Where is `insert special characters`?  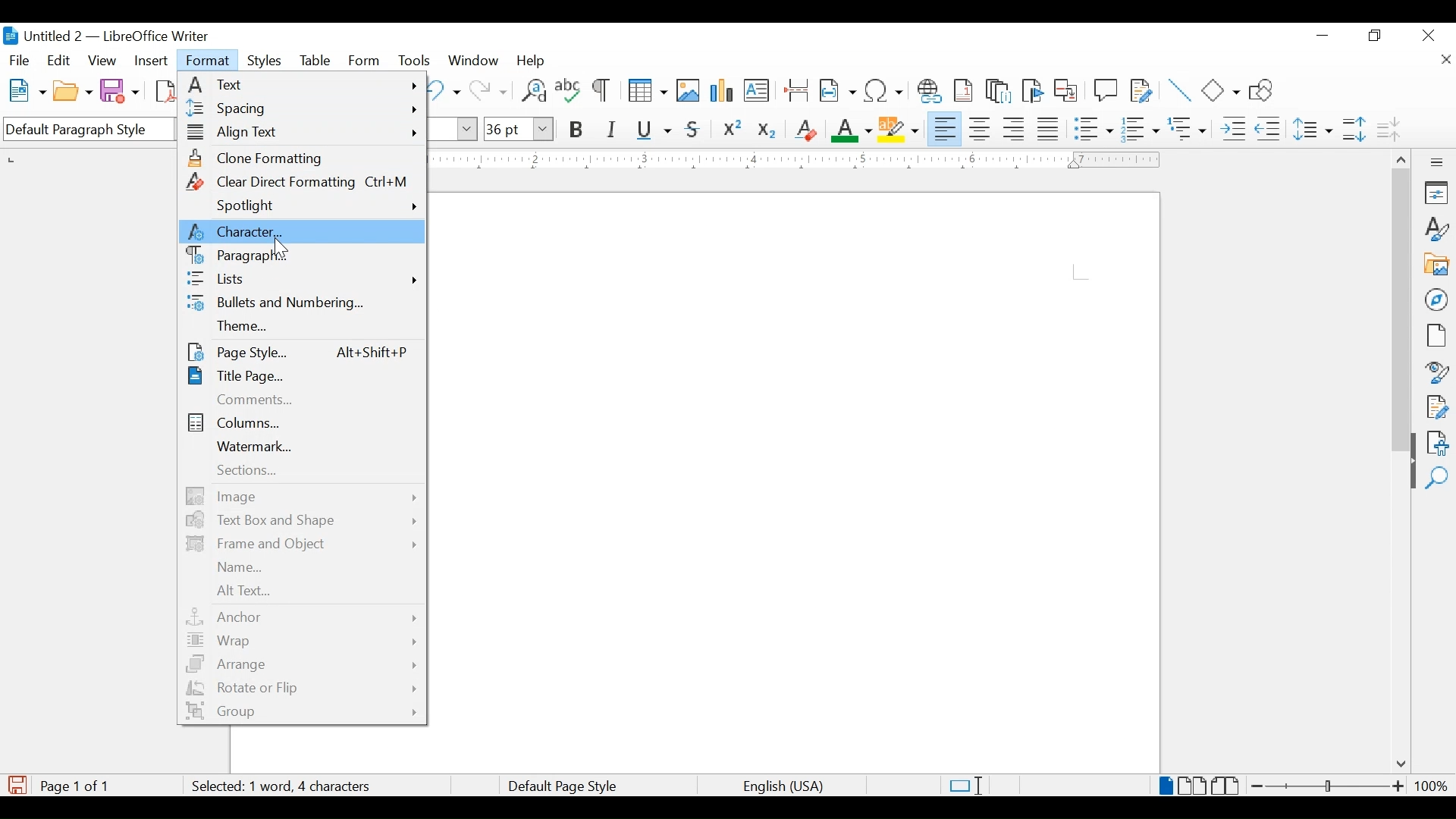 insert special characters is located at coordinates (884, 89).